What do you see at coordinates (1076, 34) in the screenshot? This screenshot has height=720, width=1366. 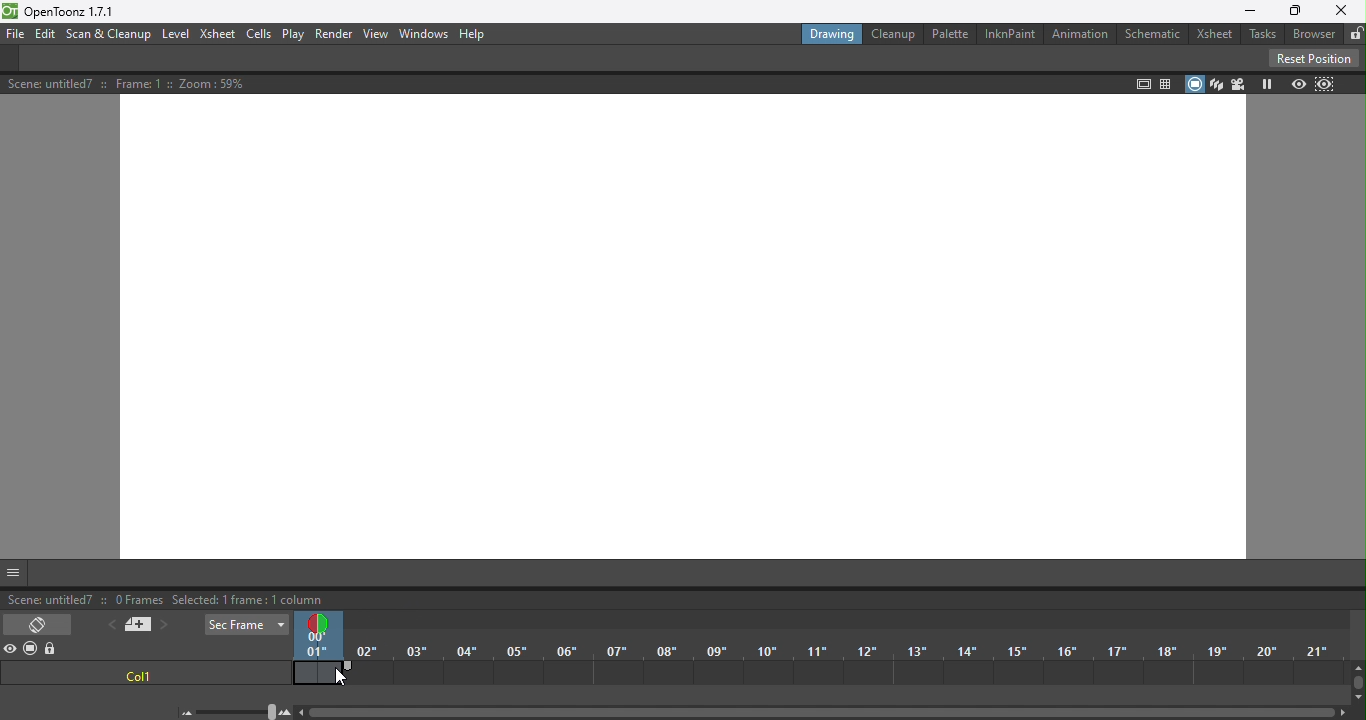 I see `Animation` at bounding box center [1076, 34].